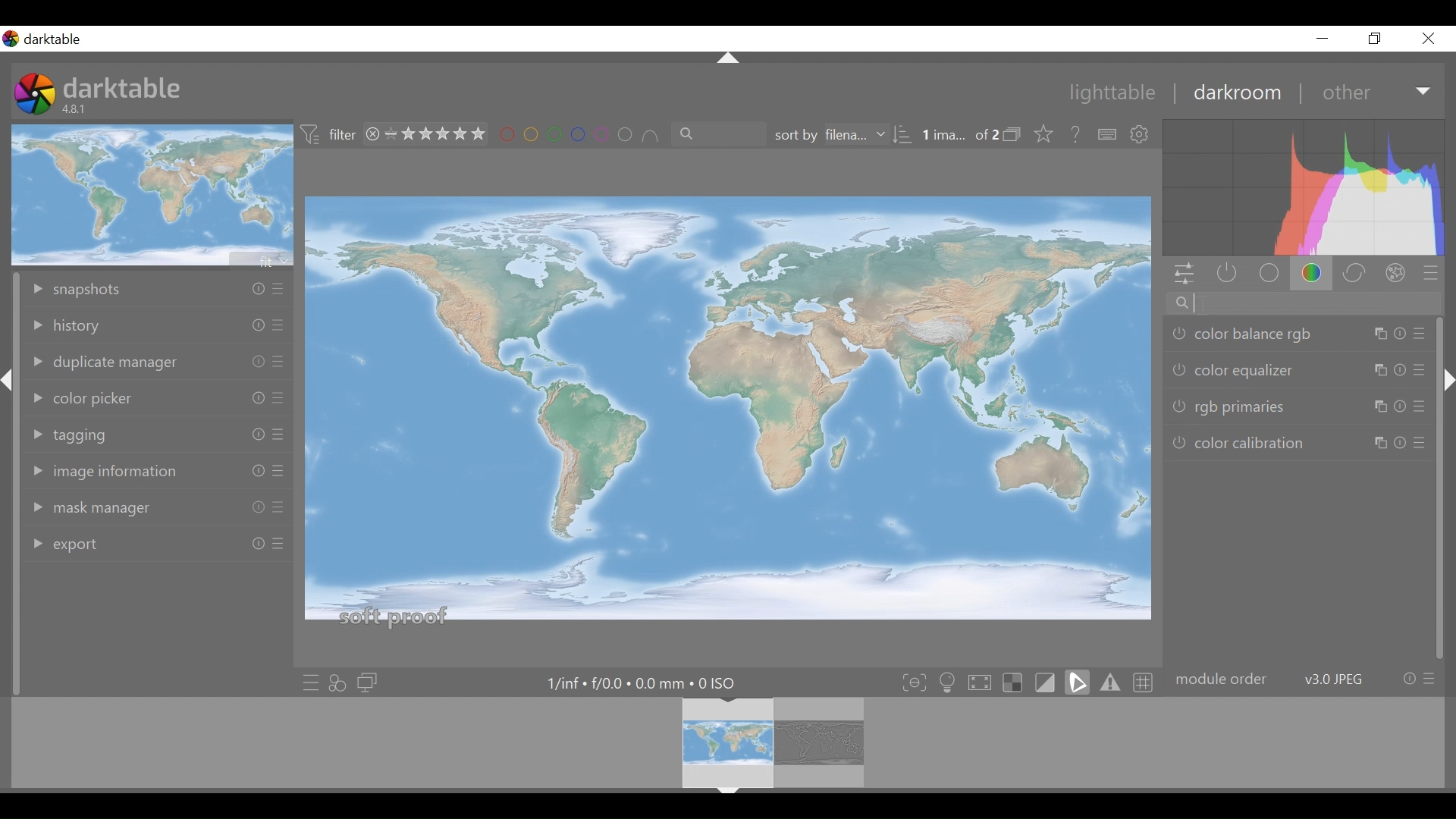  What do you see at coordinates (1107, 135) in the screenshot?
I see `Define shortcuts` at bounding box center [1107, 135].